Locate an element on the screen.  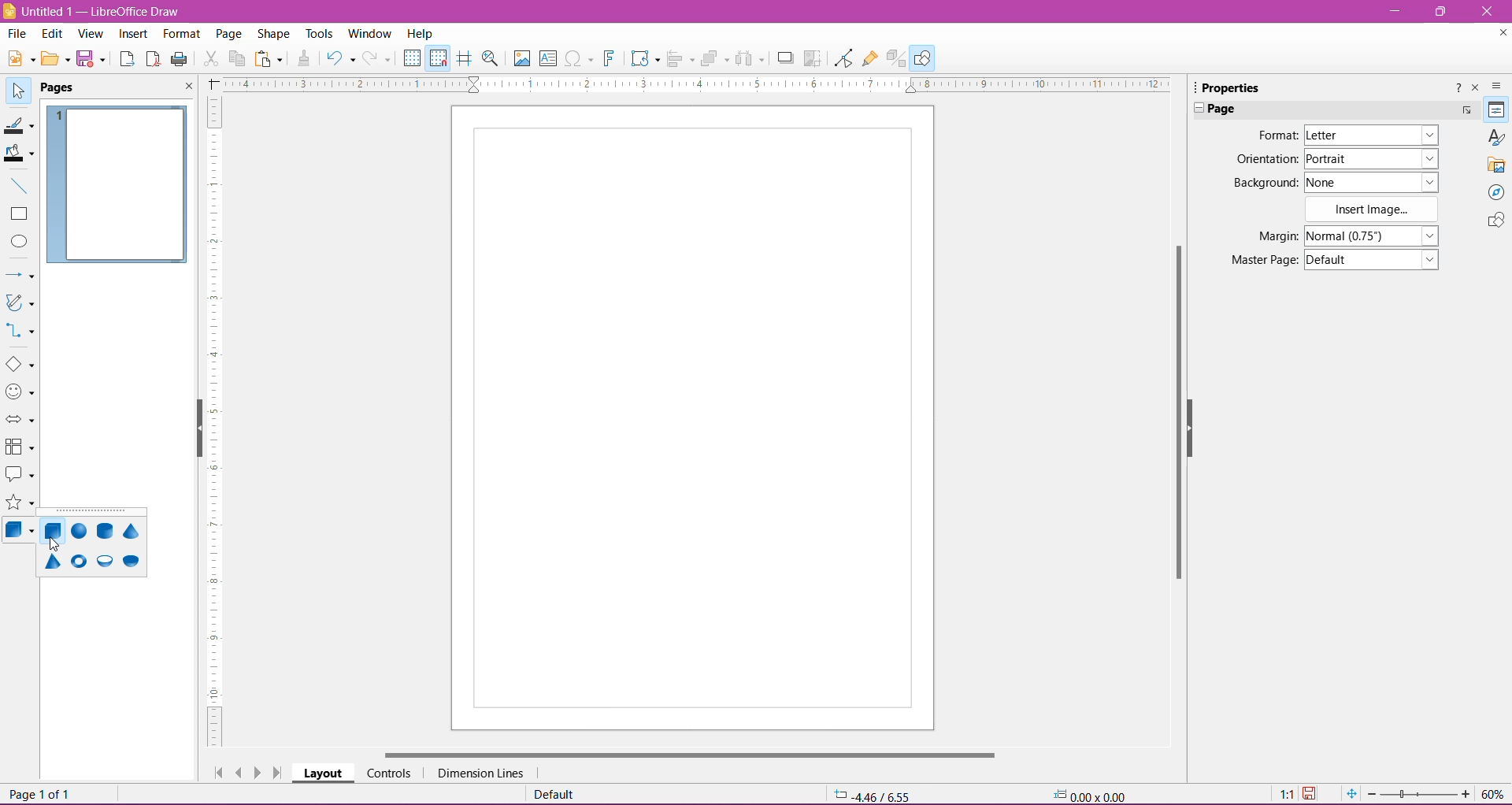
Vertical Scroll Bar is located at coordinates (1174, 409).